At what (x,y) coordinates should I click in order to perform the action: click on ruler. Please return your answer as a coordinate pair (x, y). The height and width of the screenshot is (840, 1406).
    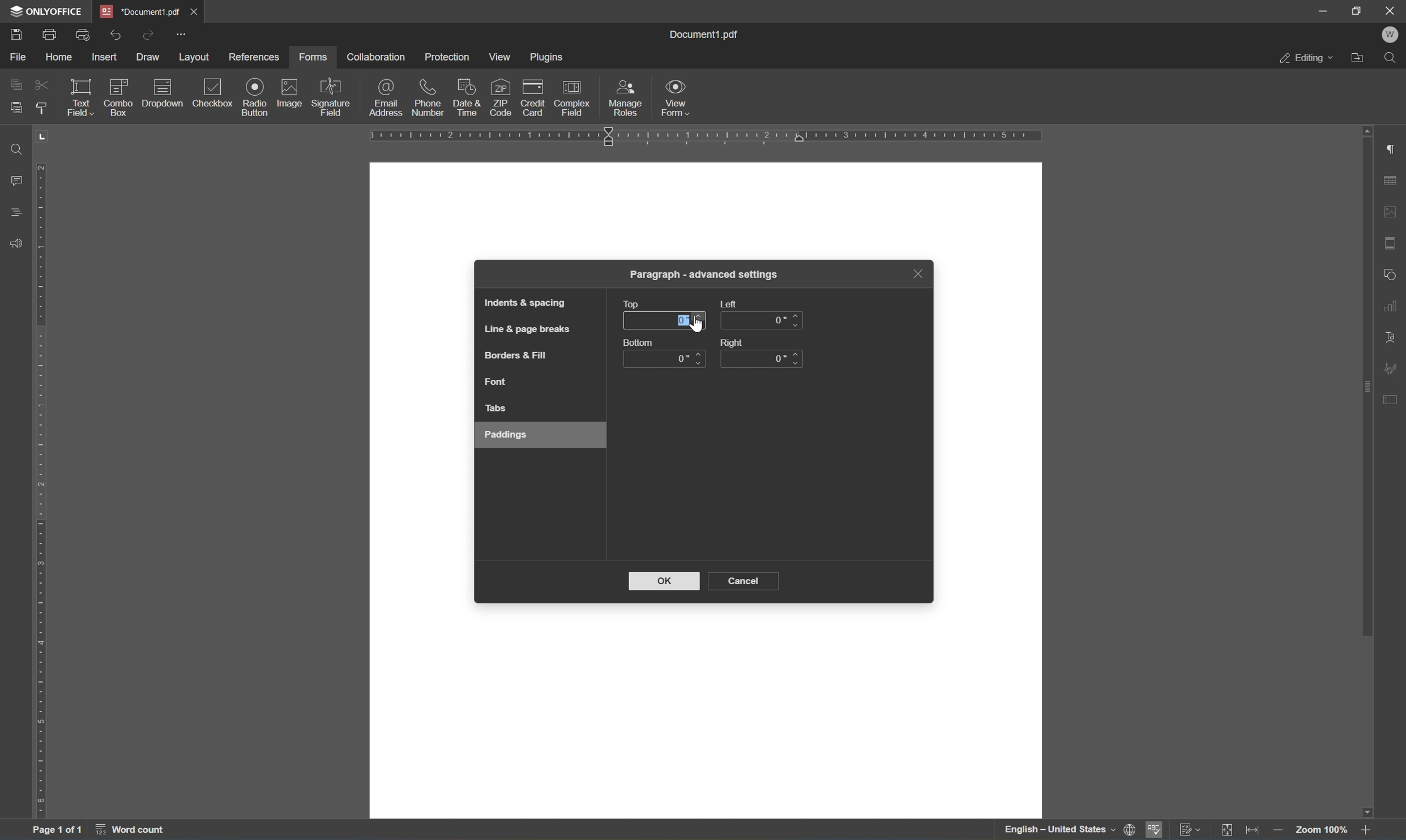
    Looking at the image, I should click on (706, 138).